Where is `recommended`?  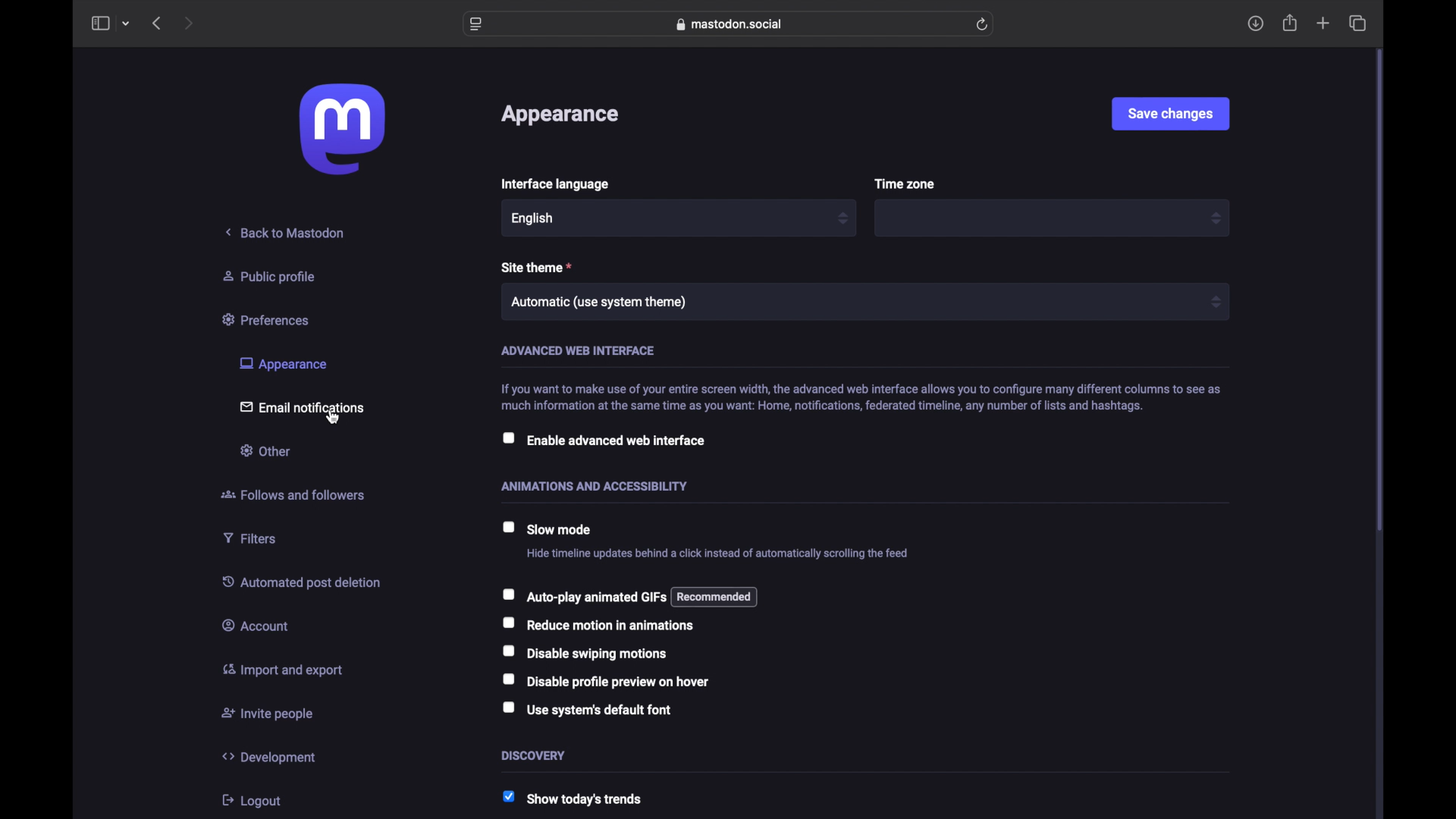
recommended is located at coordinates (715, 597).